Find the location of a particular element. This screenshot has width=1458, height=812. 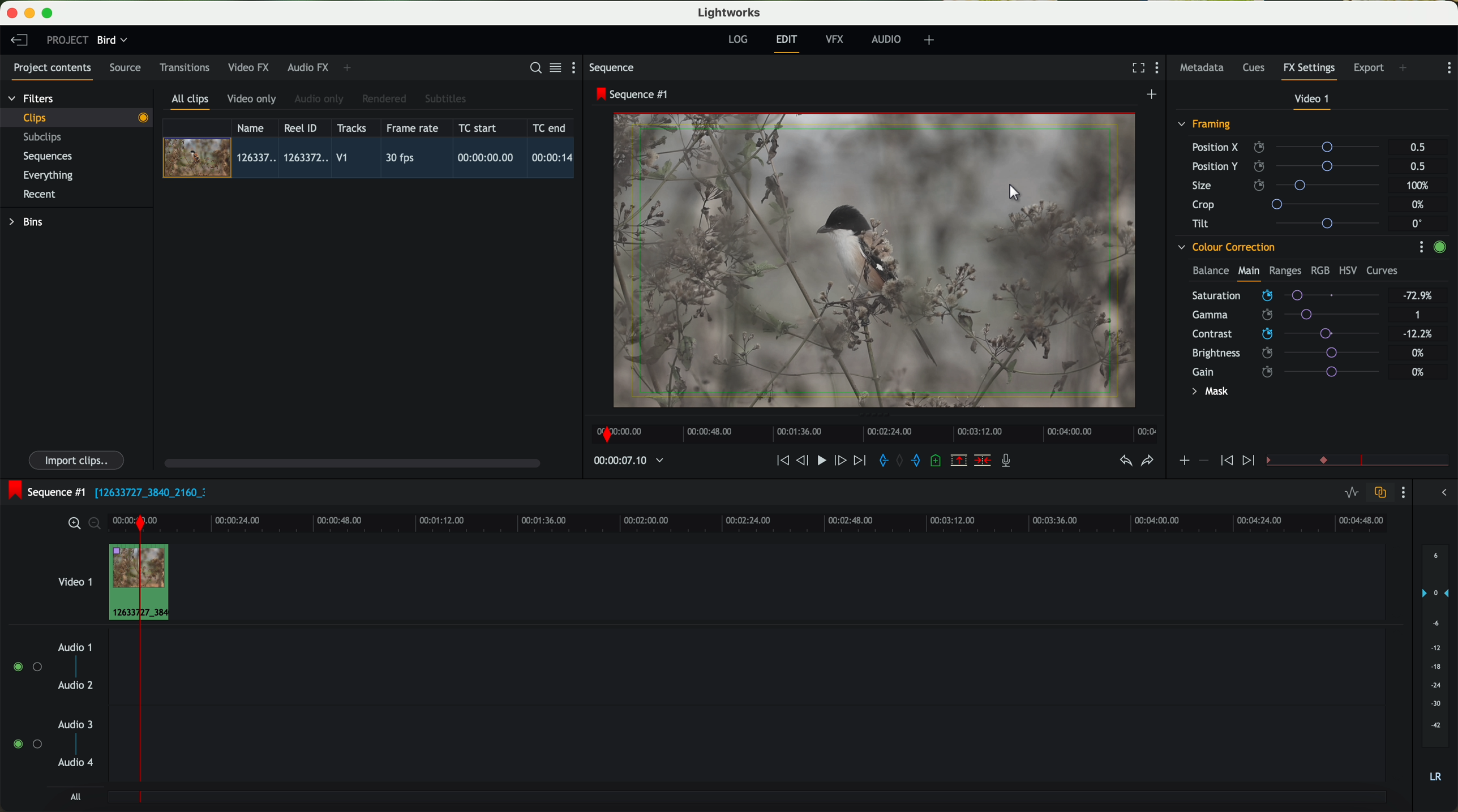

audio 1 is located at coordinates (75, 647).